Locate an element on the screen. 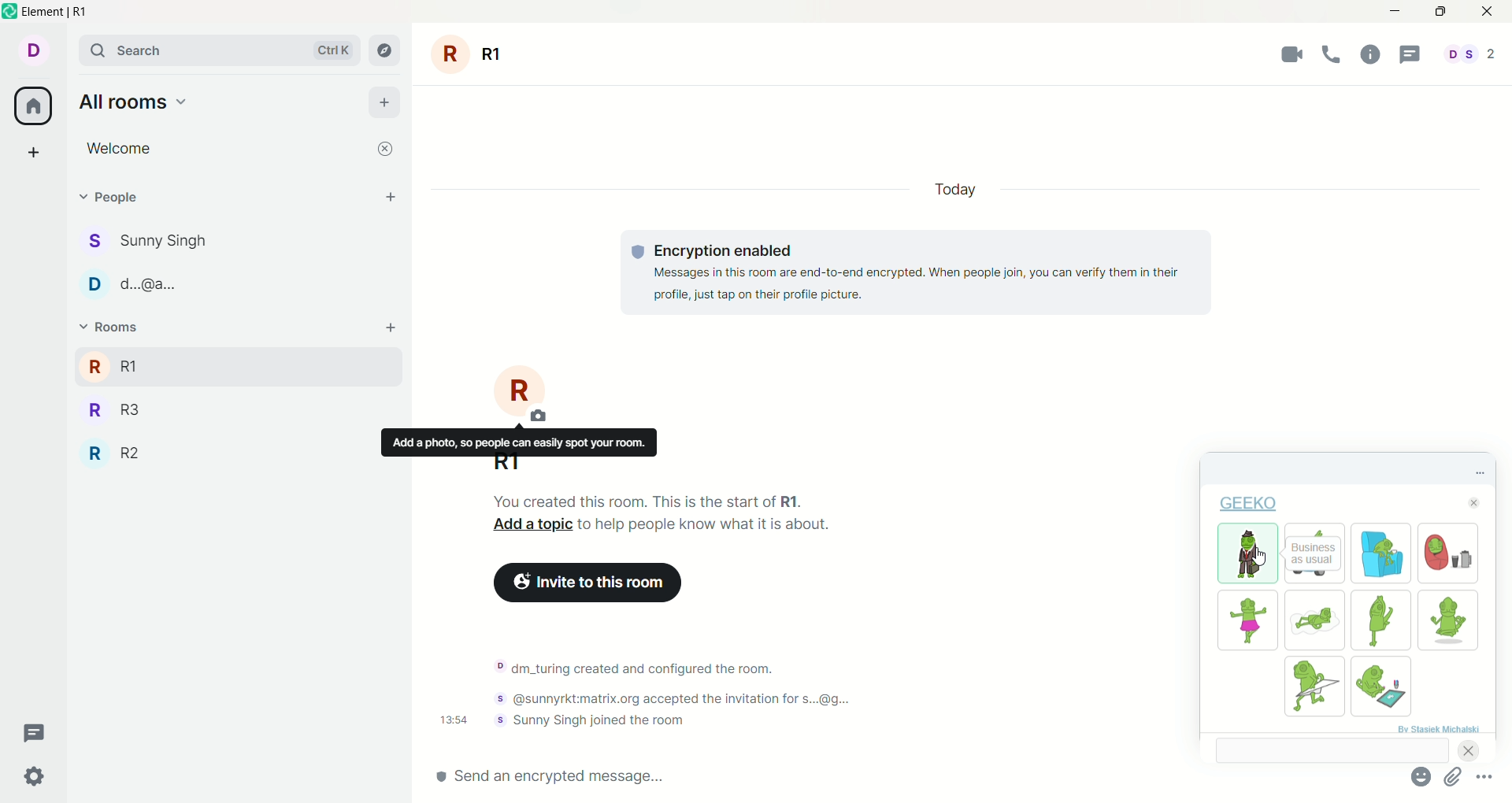  Text is located at coordinates (648, 501).